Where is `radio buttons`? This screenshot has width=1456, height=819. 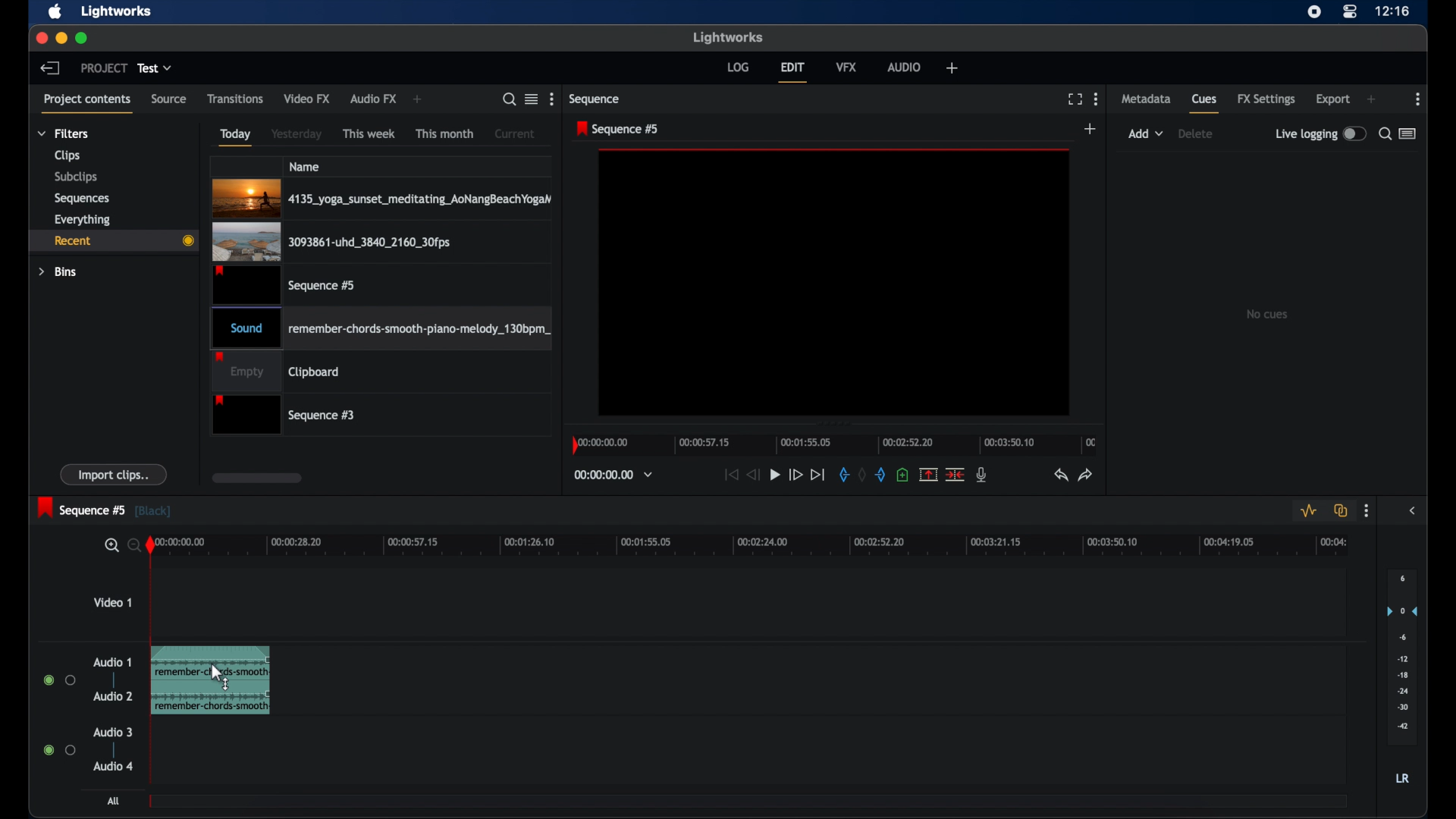 radio buttons is located at coordinates (60, 749).